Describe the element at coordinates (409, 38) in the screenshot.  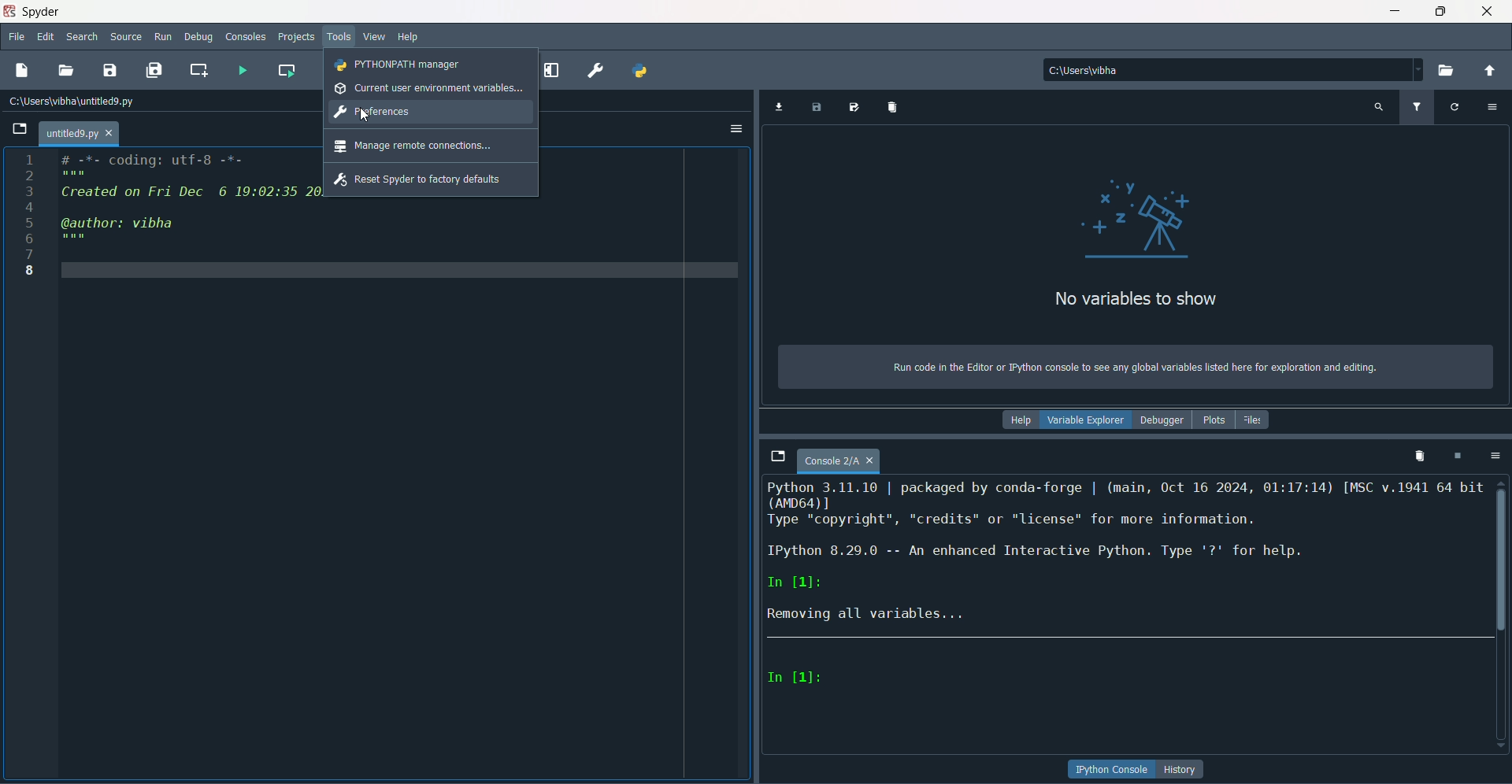
I see `help` at that location.